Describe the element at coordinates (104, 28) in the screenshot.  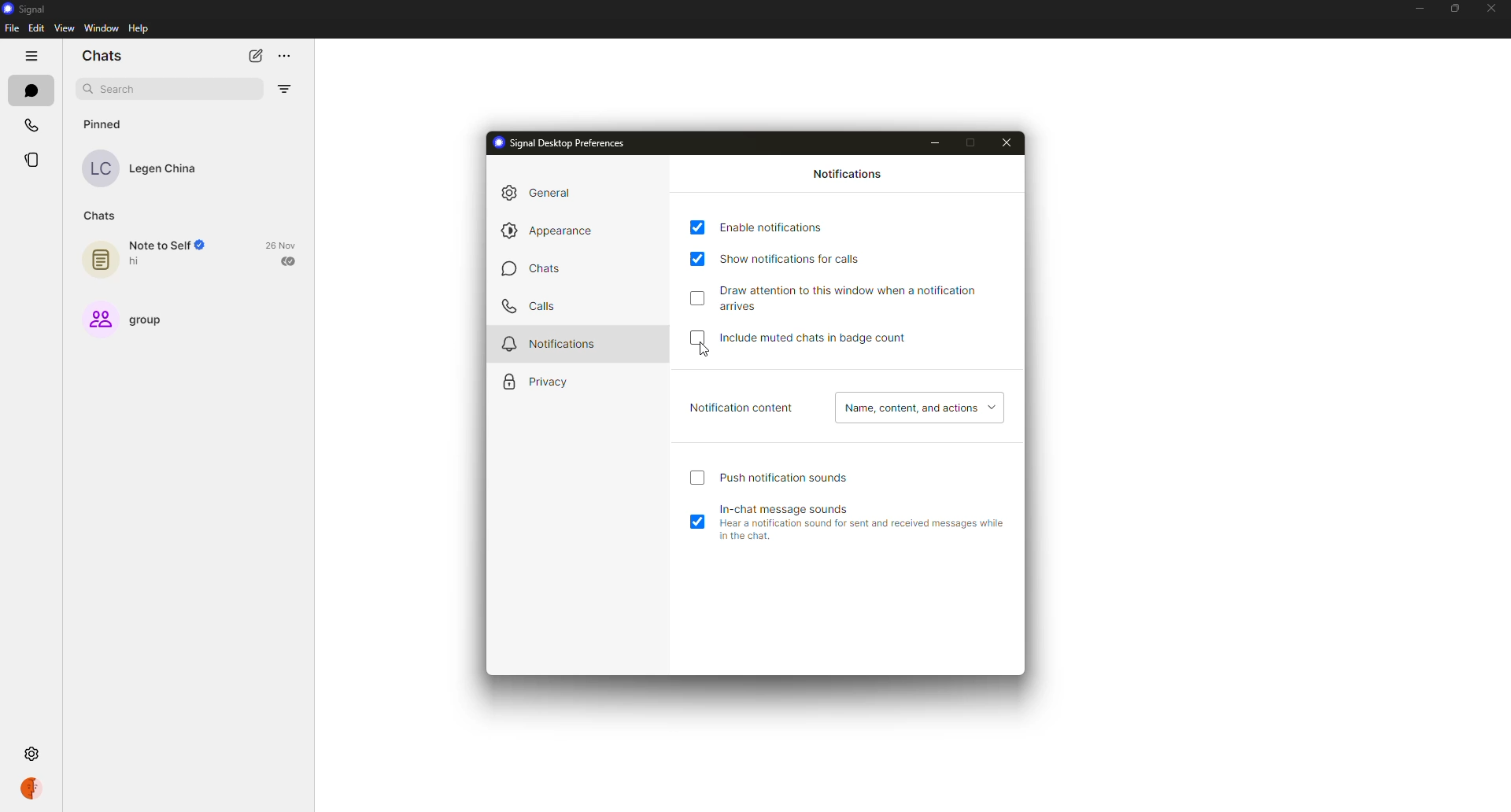
I see `window` at that location.